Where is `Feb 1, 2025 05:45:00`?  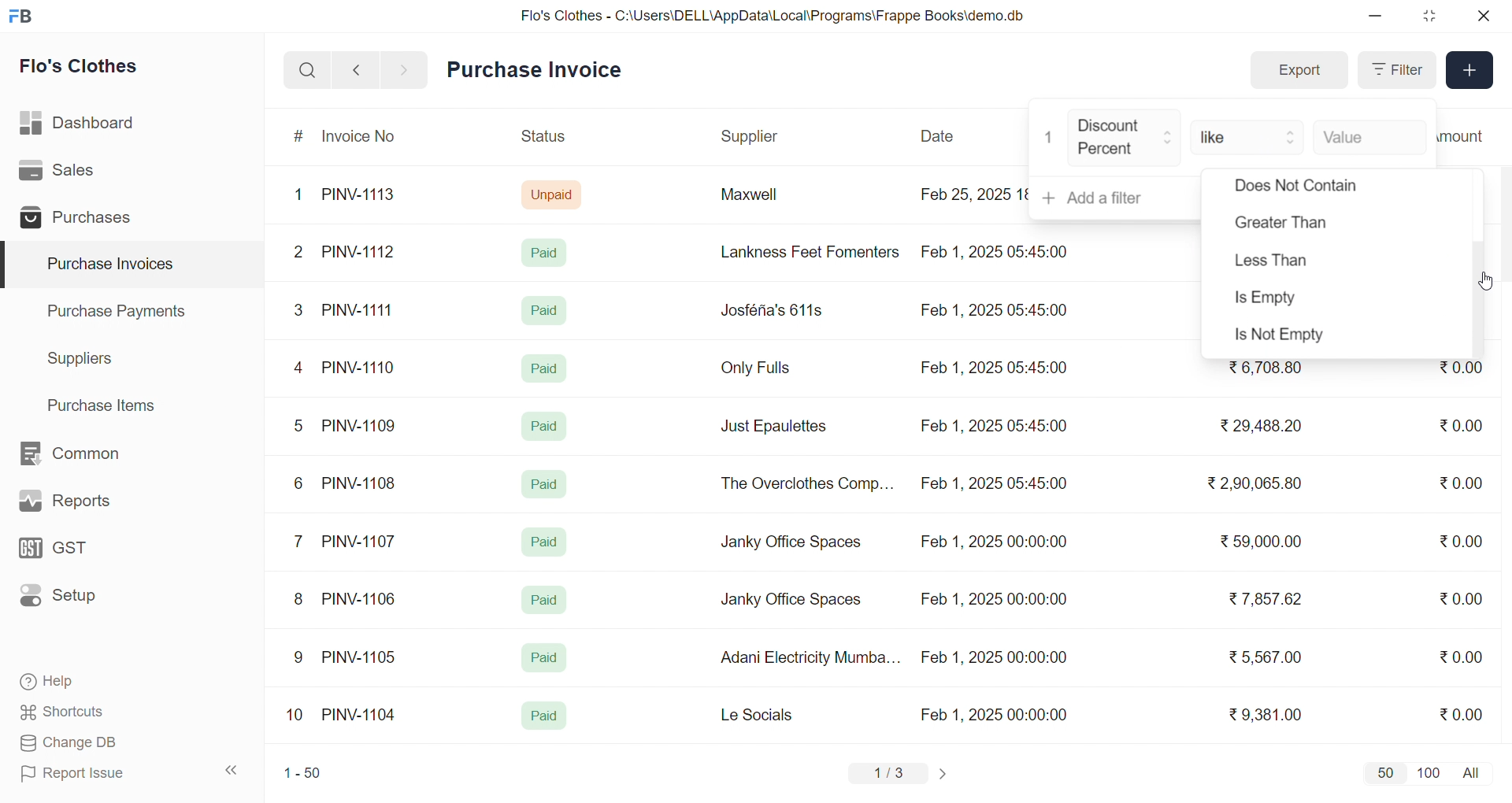 Feb 1, 2025 05:45:00 is located at coordinates (992, 312).